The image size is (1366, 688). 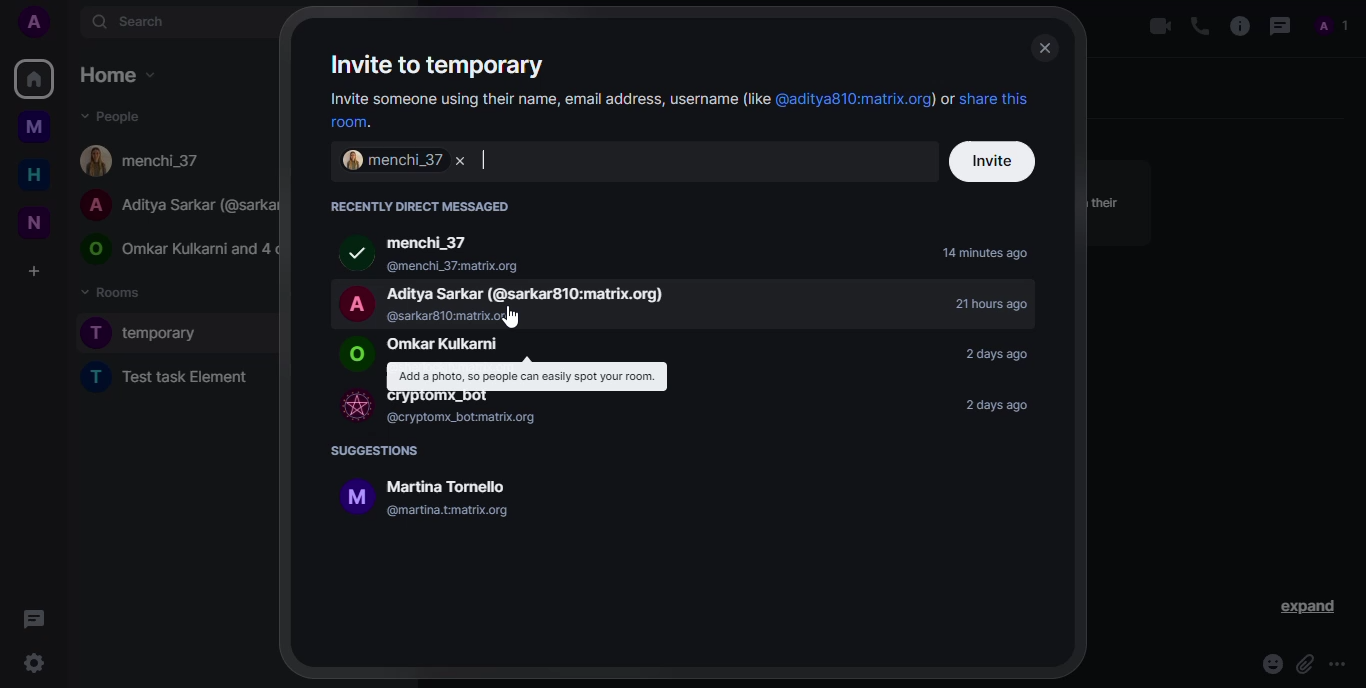 What do you see at coordinates (34, 127) in the screenshot?
I see `myspace` at bounding box center [34, 127].